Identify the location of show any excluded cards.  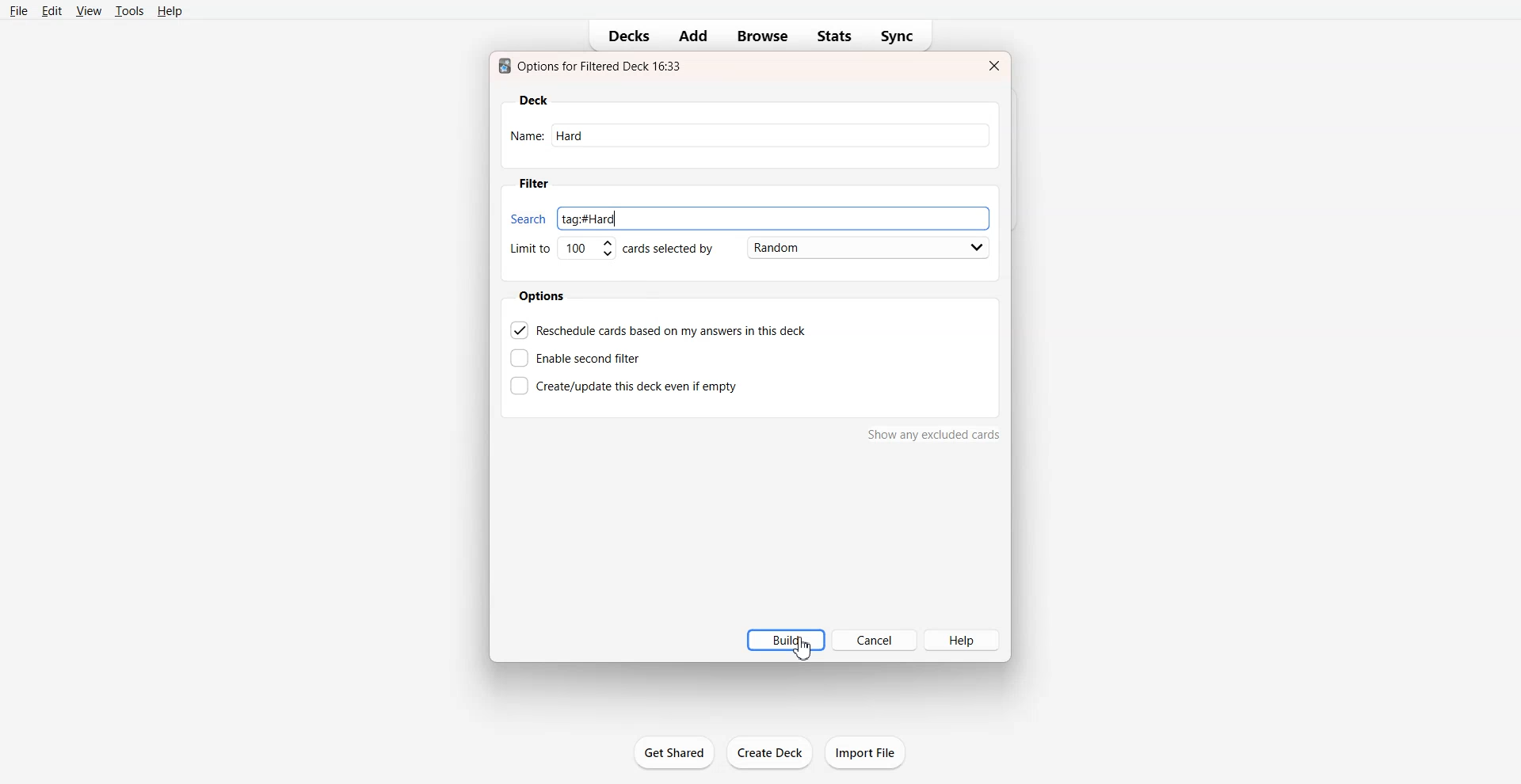
(934, 438).